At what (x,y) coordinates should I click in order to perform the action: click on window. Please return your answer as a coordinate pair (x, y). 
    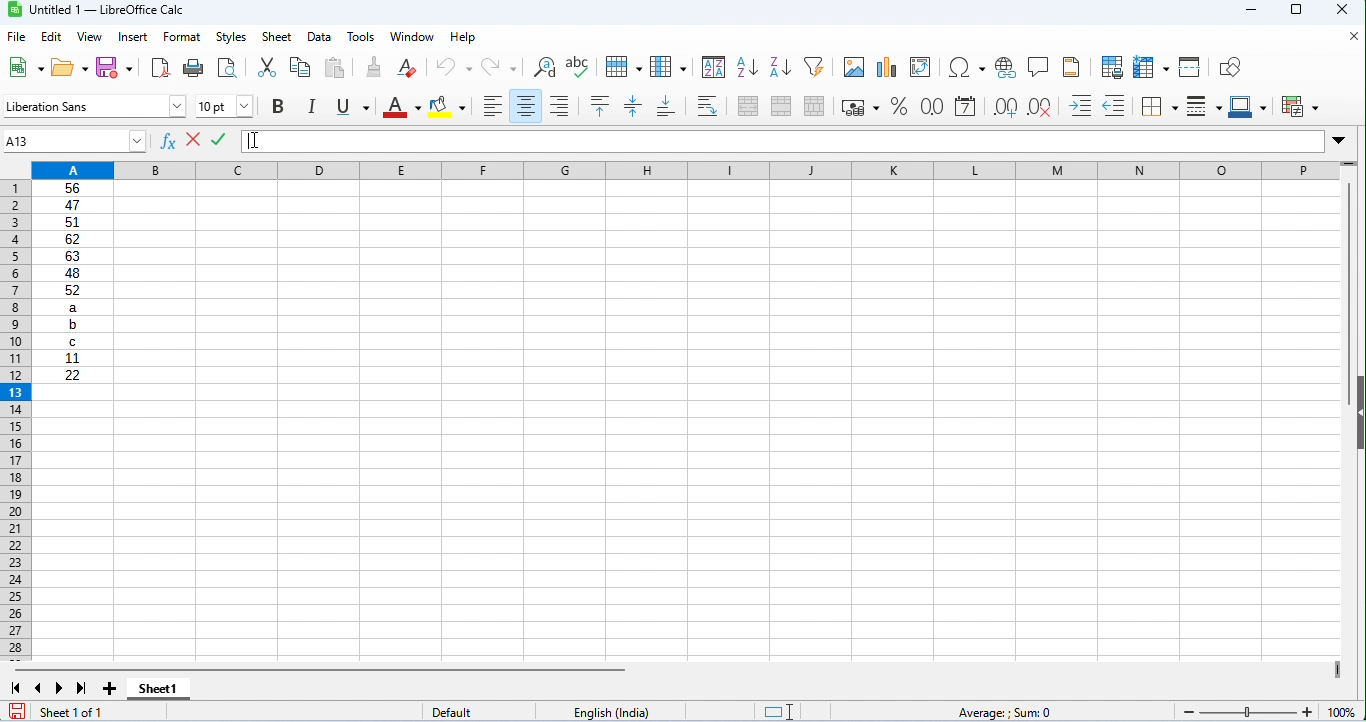
    Looking at the image, I should click on (413, 38).